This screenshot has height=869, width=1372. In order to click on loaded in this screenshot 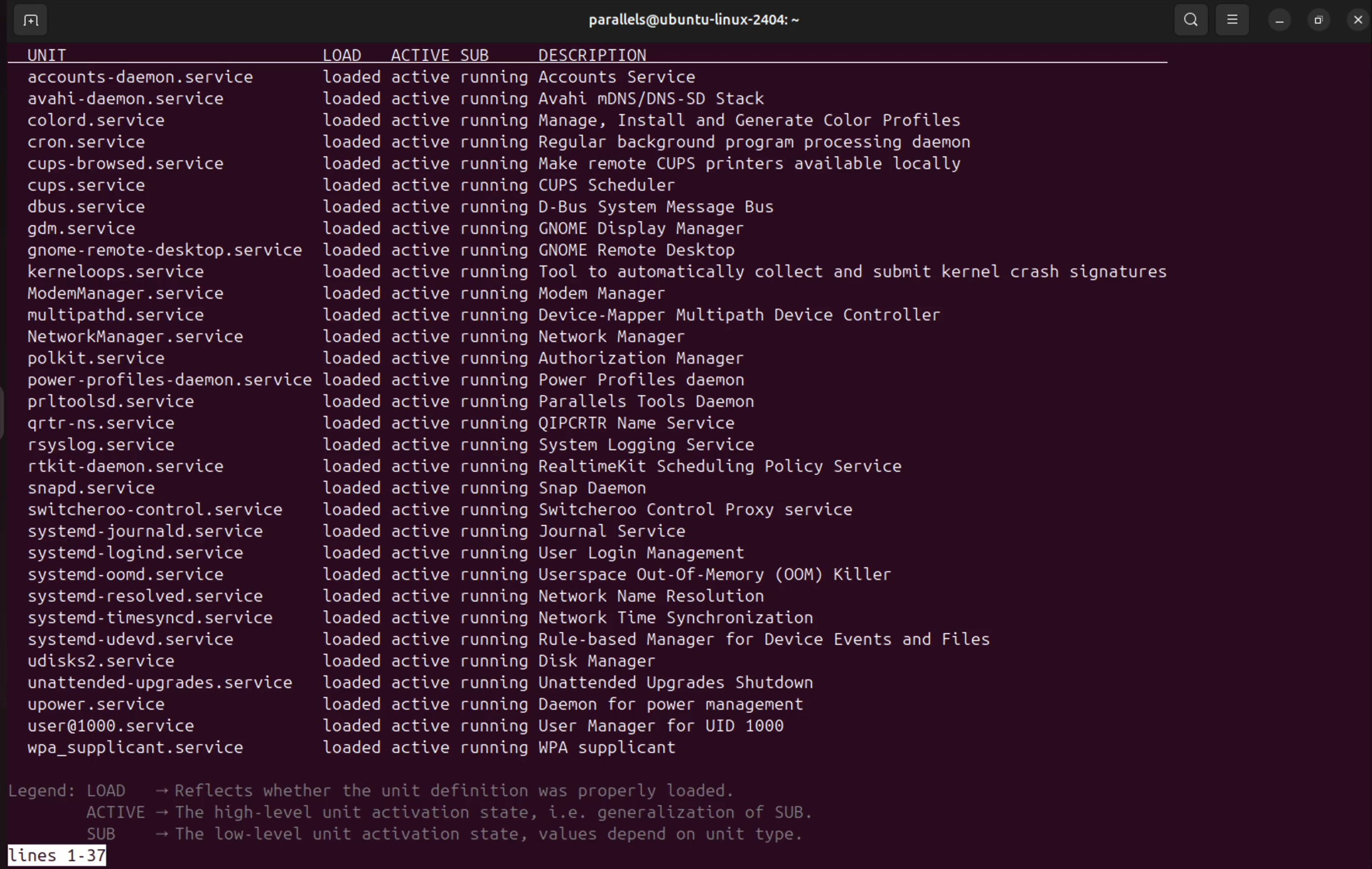, I will do `click(348, 489)`.